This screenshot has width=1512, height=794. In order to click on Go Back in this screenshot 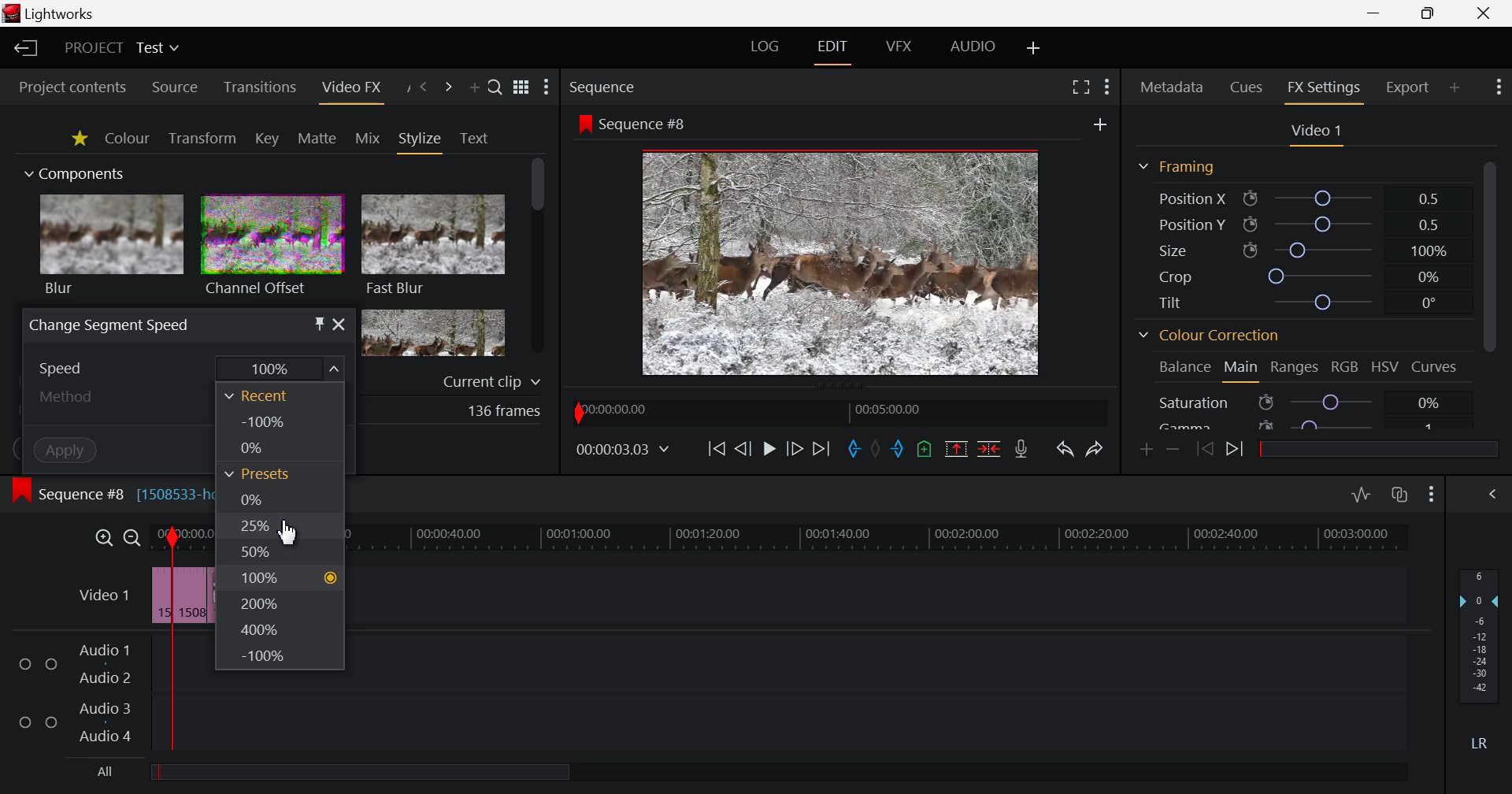, I will do `click(742, 447)`.